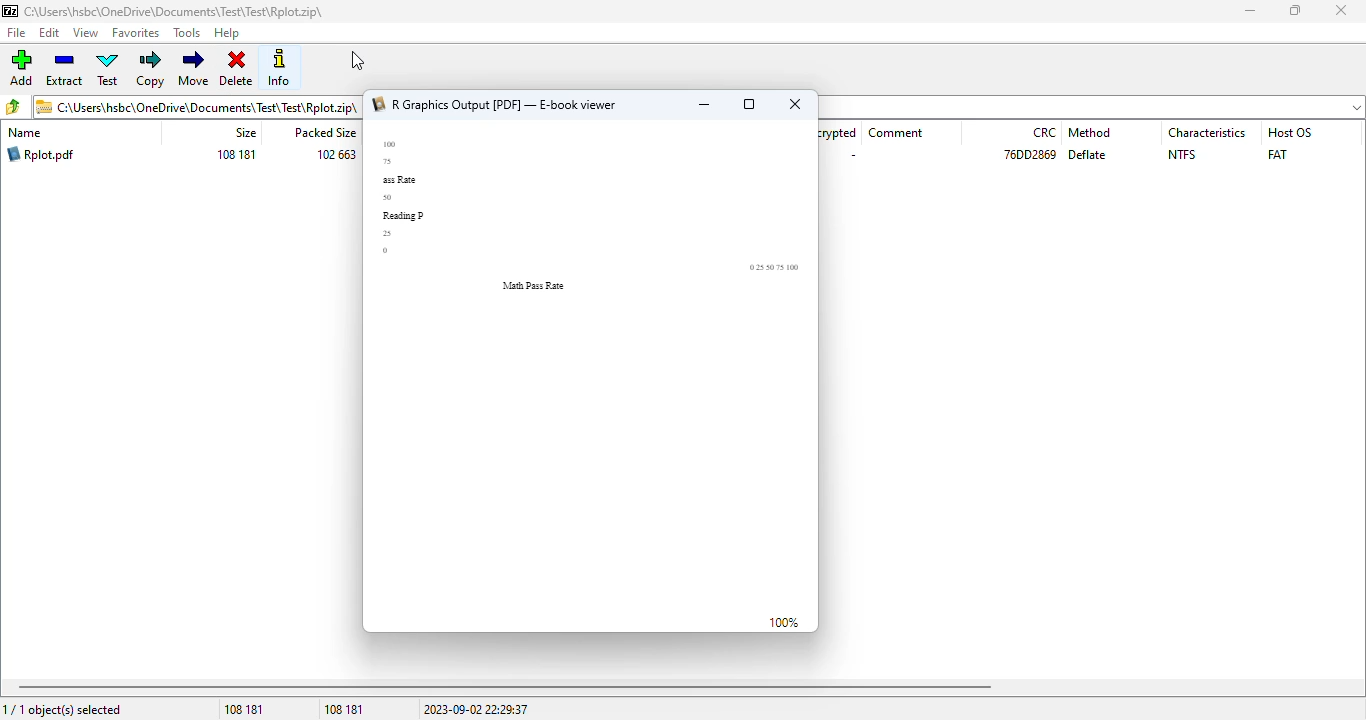 This screenshot has height=720, width=1366. I want to click on horizontal scroll bar, so click(505, 687).